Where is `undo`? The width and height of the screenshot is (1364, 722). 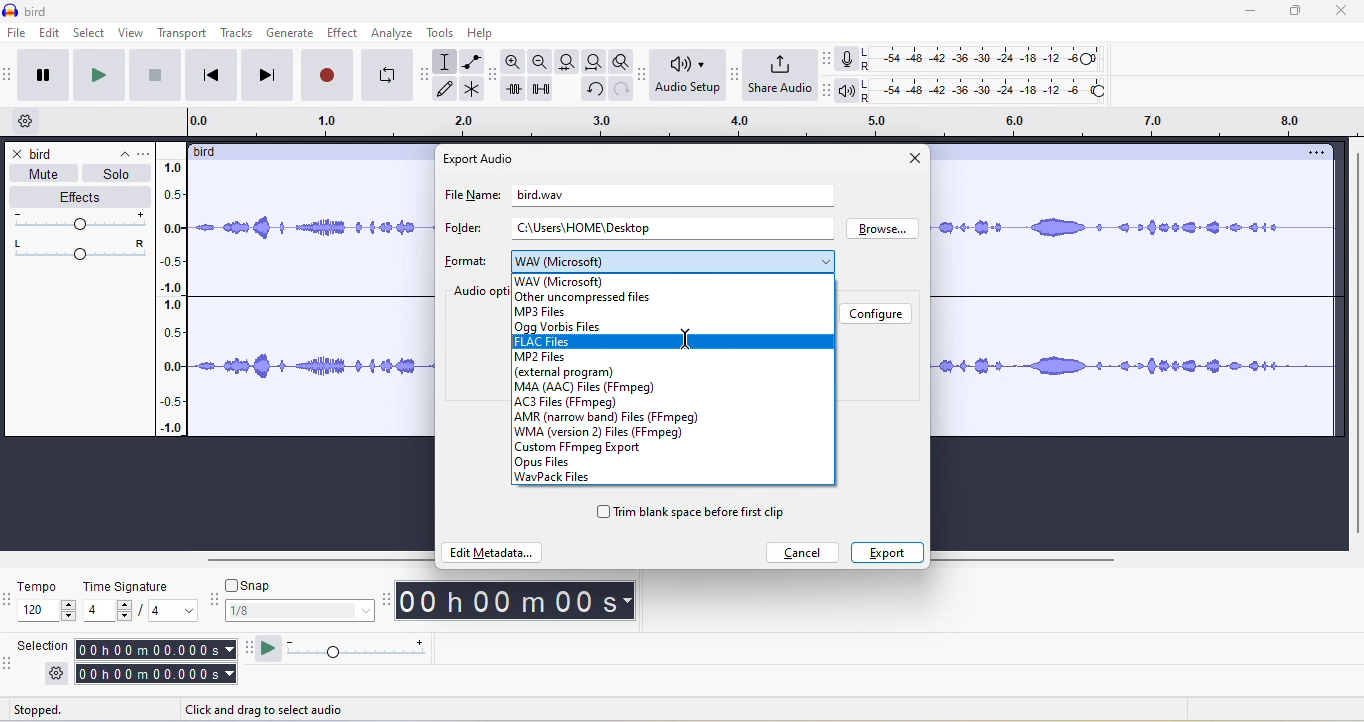 undo is located at coordinates (592, 93).